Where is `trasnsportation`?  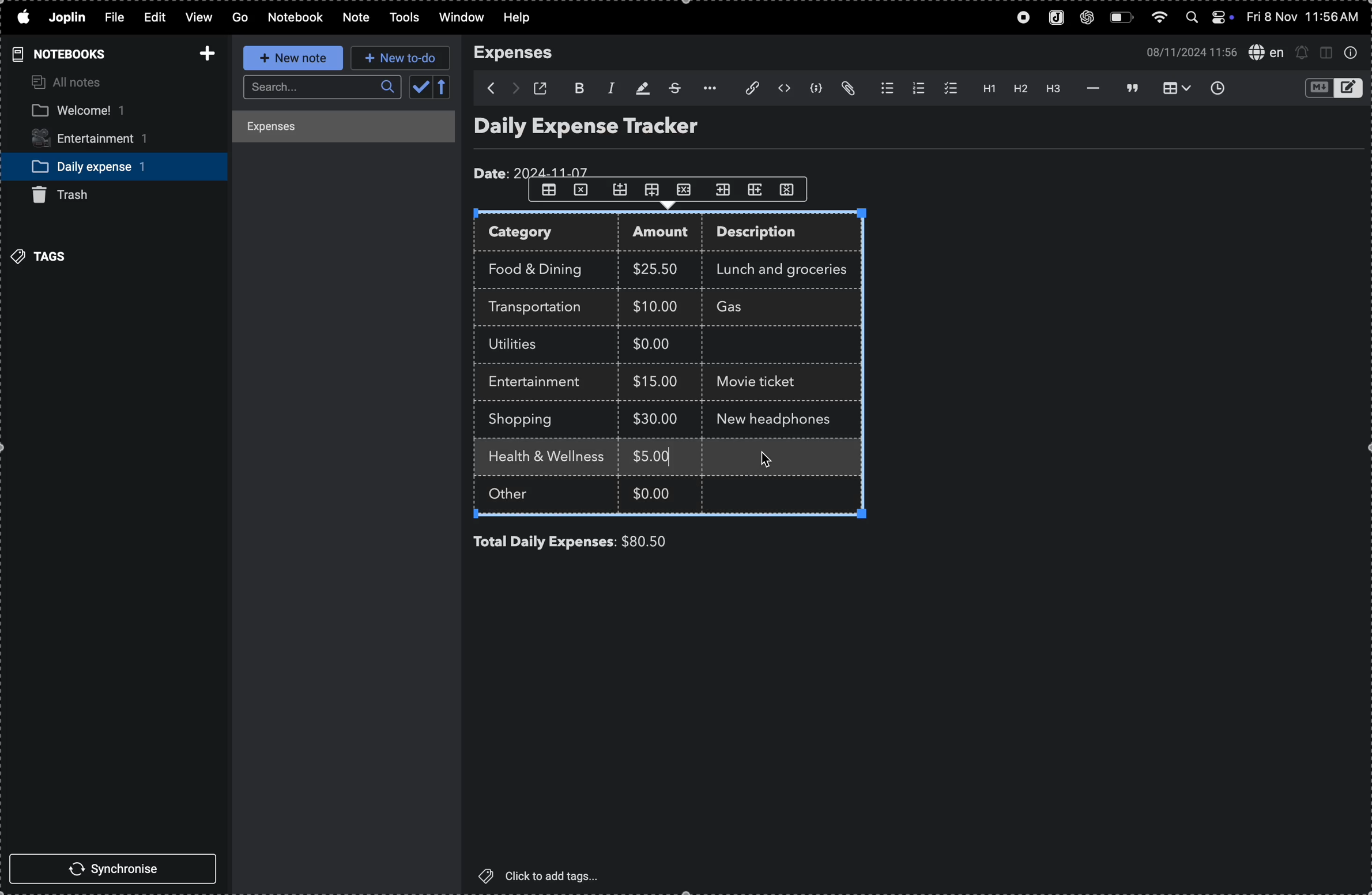
trasnsportation is located at coordinates (541, 307).